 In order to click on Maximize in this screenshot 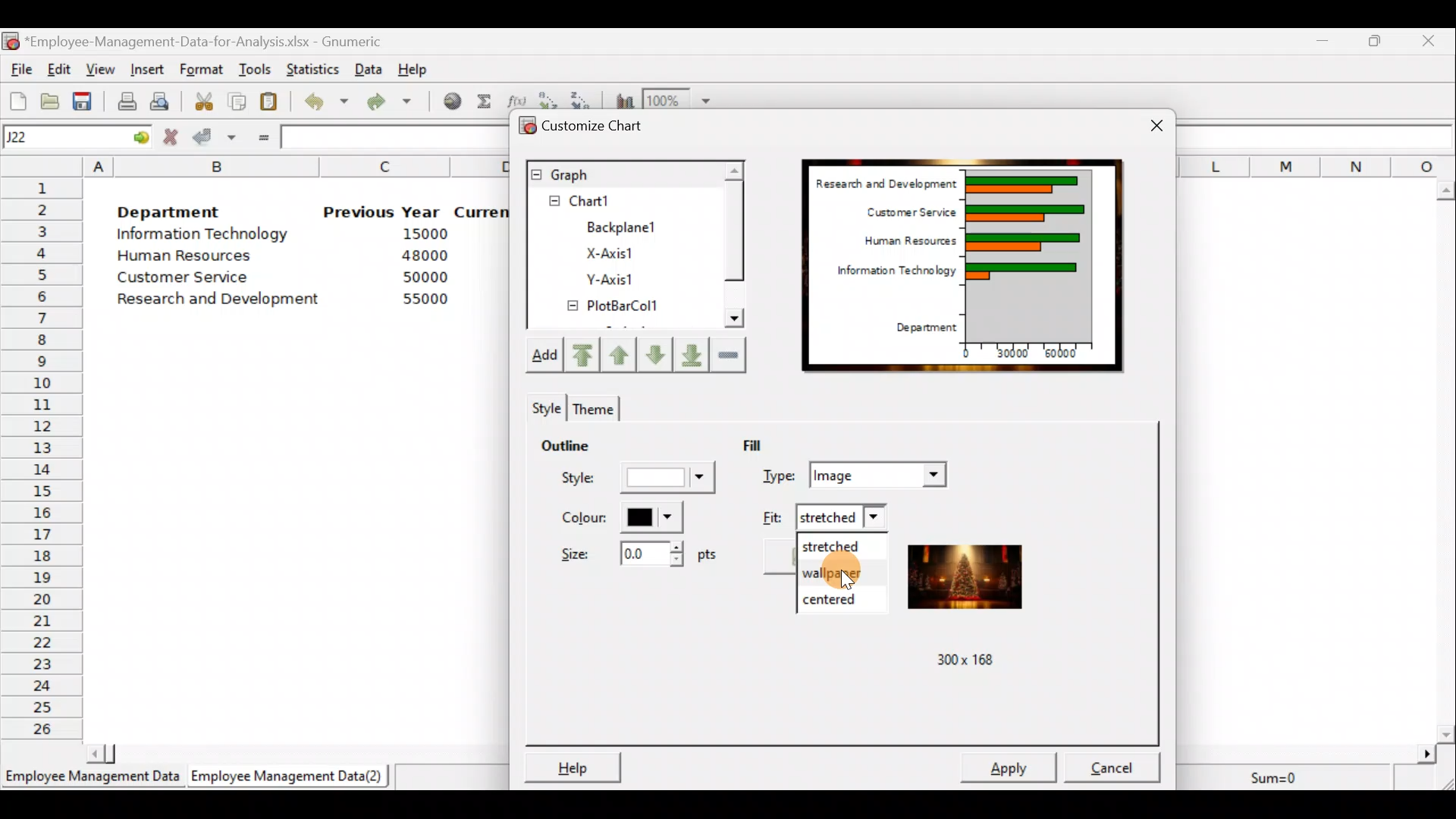, I will do `click(1378, 41)`.